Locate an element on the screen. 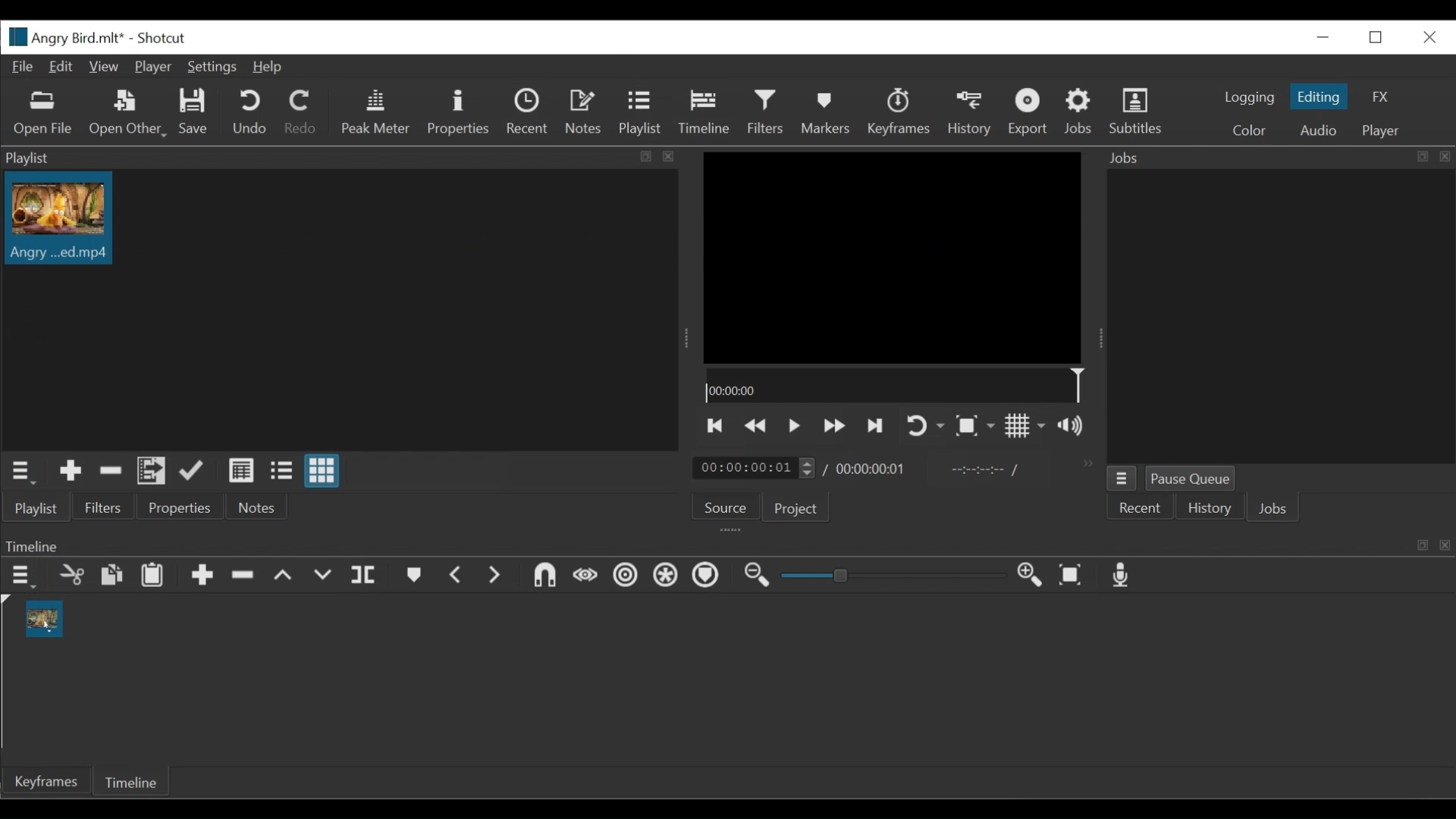 The image size is (1456, 819). Toggle display grid on player is located at coordinates (1026, 426).